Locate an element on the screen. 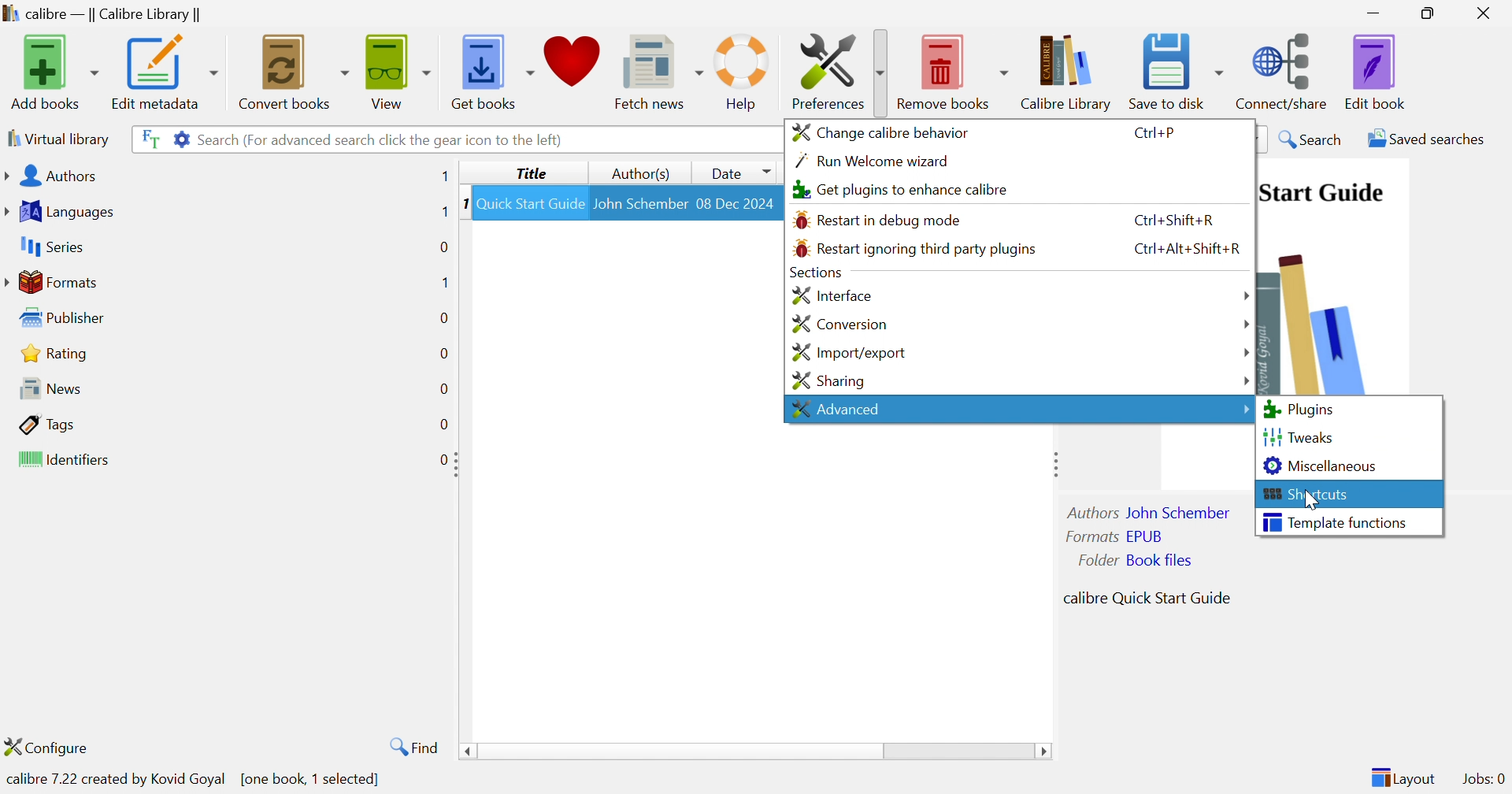 The width and height of the screenshot is (1512, 794). Drop Down is located at coordinates (1246, 297).